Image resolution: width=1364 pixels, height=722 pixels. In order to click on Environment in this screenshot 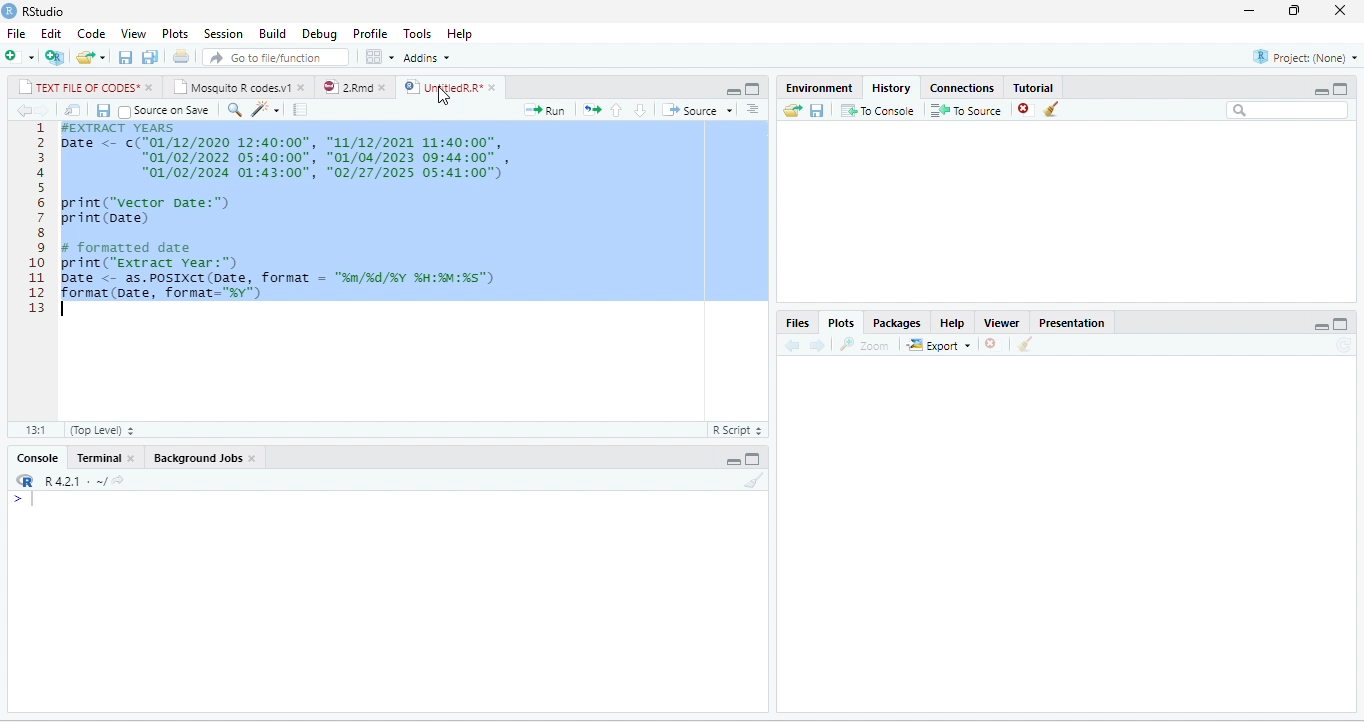, I will do `click(820, 88)`.